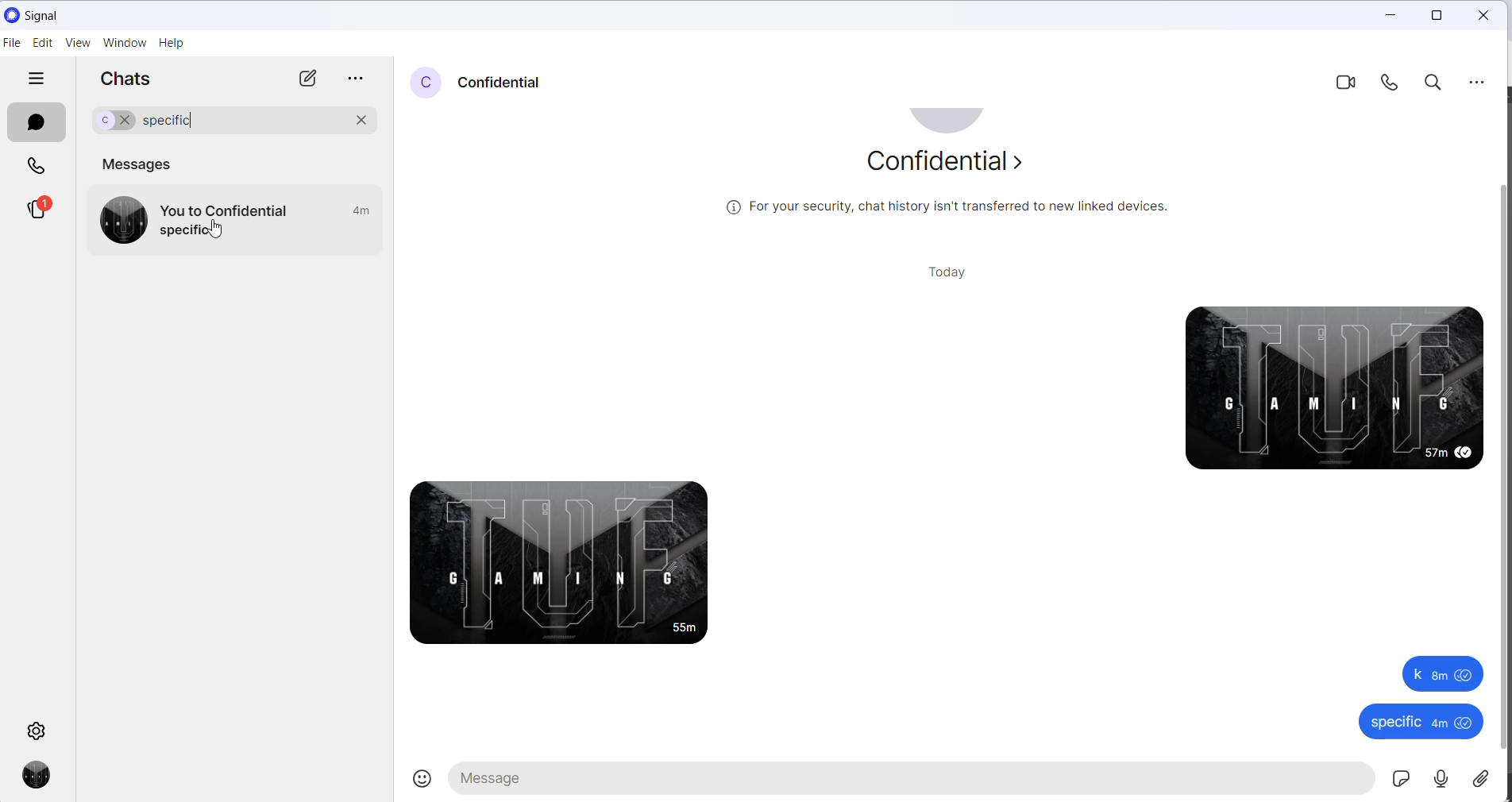  I want to click on maximize, so click(1439, 16).